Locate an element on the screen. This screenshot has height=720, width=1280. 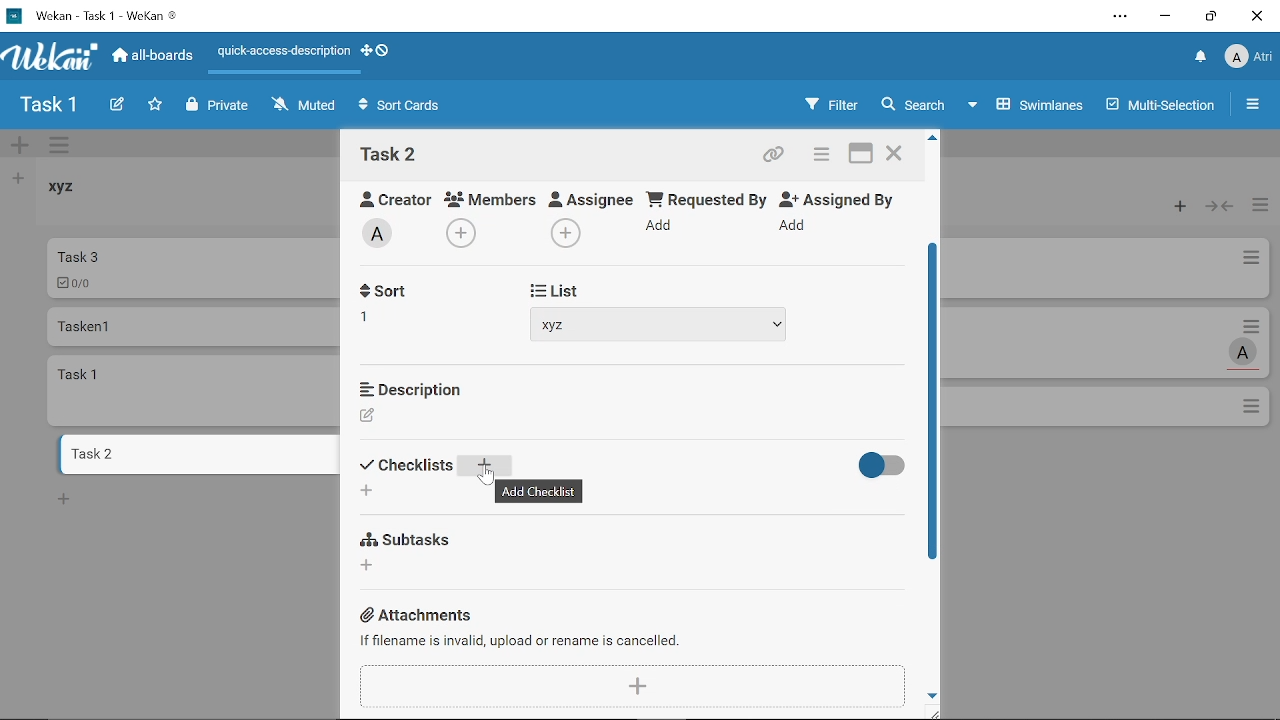
Notifications is located at coordinates (1201, 58).